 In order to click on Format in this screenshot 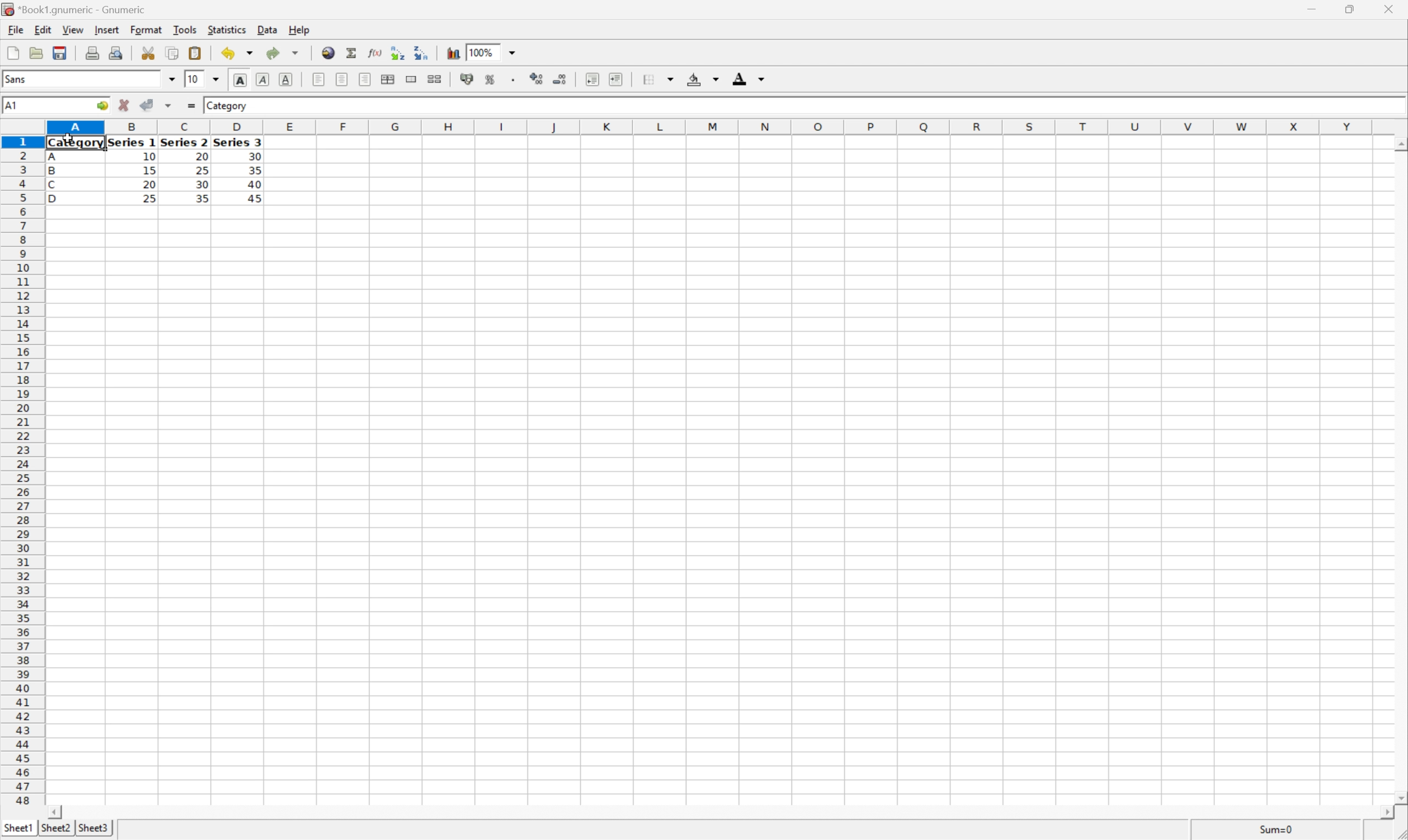, I will do `click(146, 29)`.